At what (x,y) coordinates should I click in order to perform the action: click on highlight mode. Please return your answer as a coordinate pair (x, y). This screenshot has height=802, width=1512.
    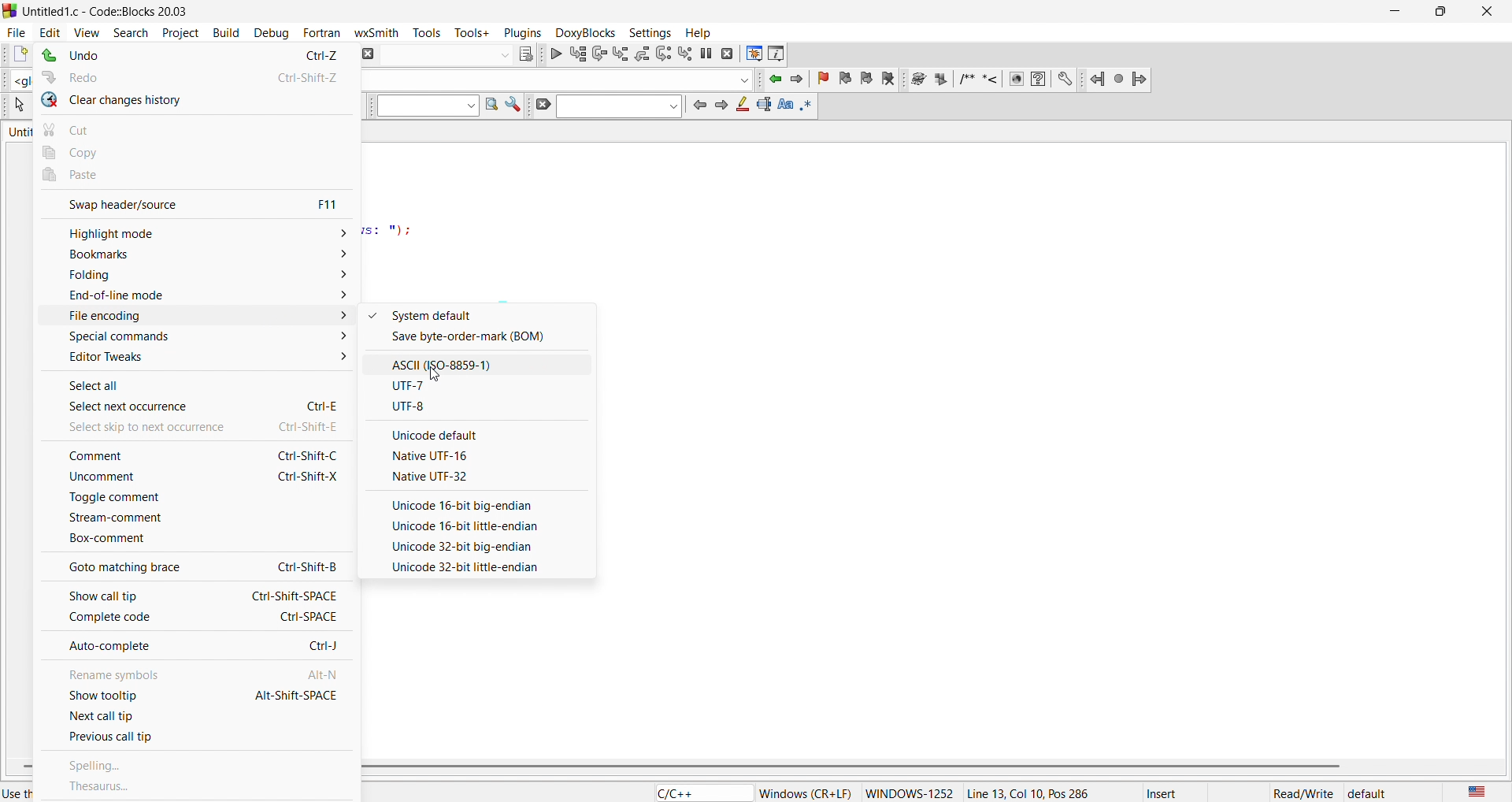
    Looking at the image, I should click on (194, 230).